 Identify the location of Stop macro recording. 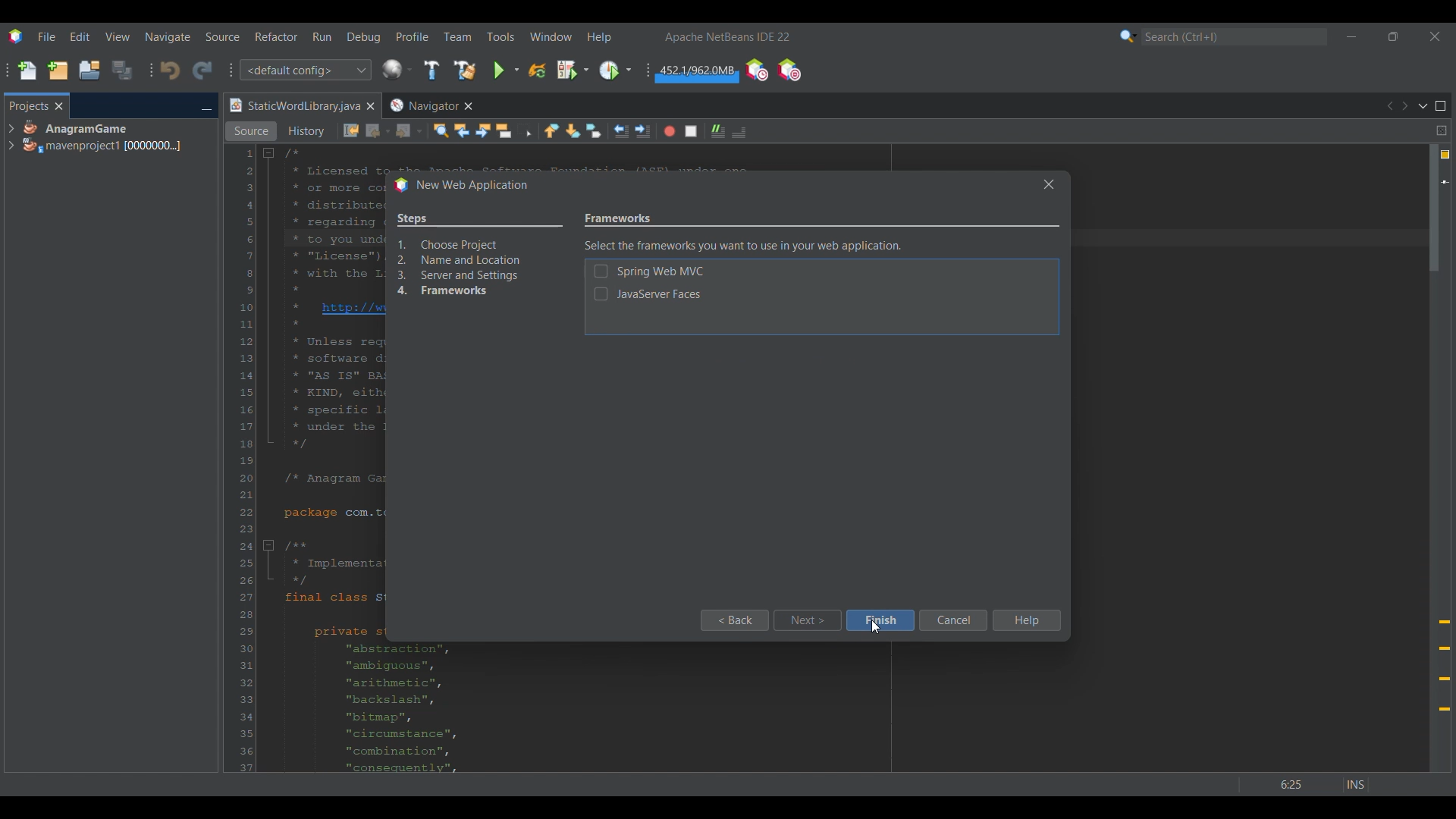
(691, 131).